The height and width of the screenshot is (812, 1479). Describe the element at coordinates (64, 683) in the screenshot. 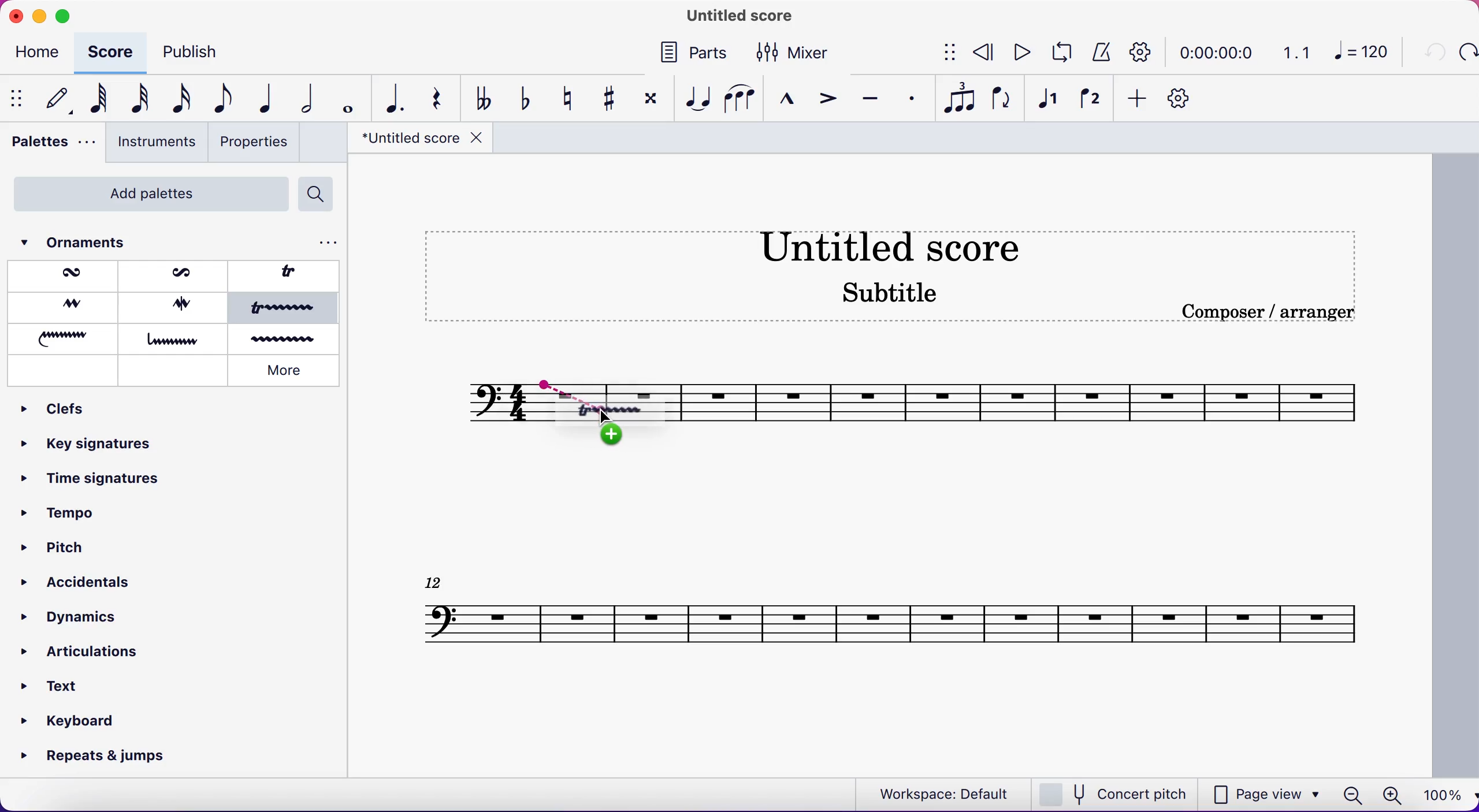

I see `text` at that location.